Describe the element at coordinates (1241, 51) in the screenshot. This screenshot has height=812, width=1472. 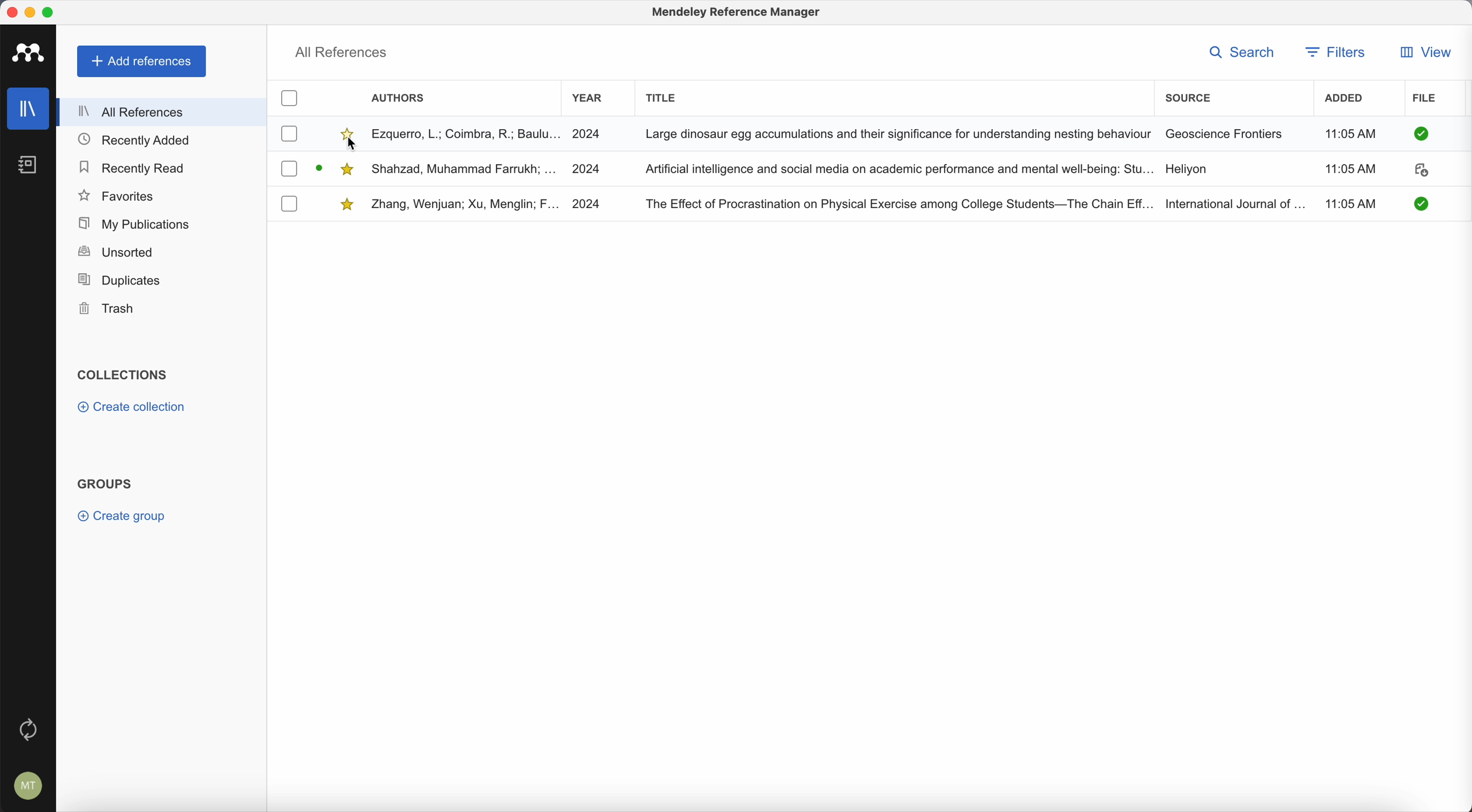
I see `search` at that location.